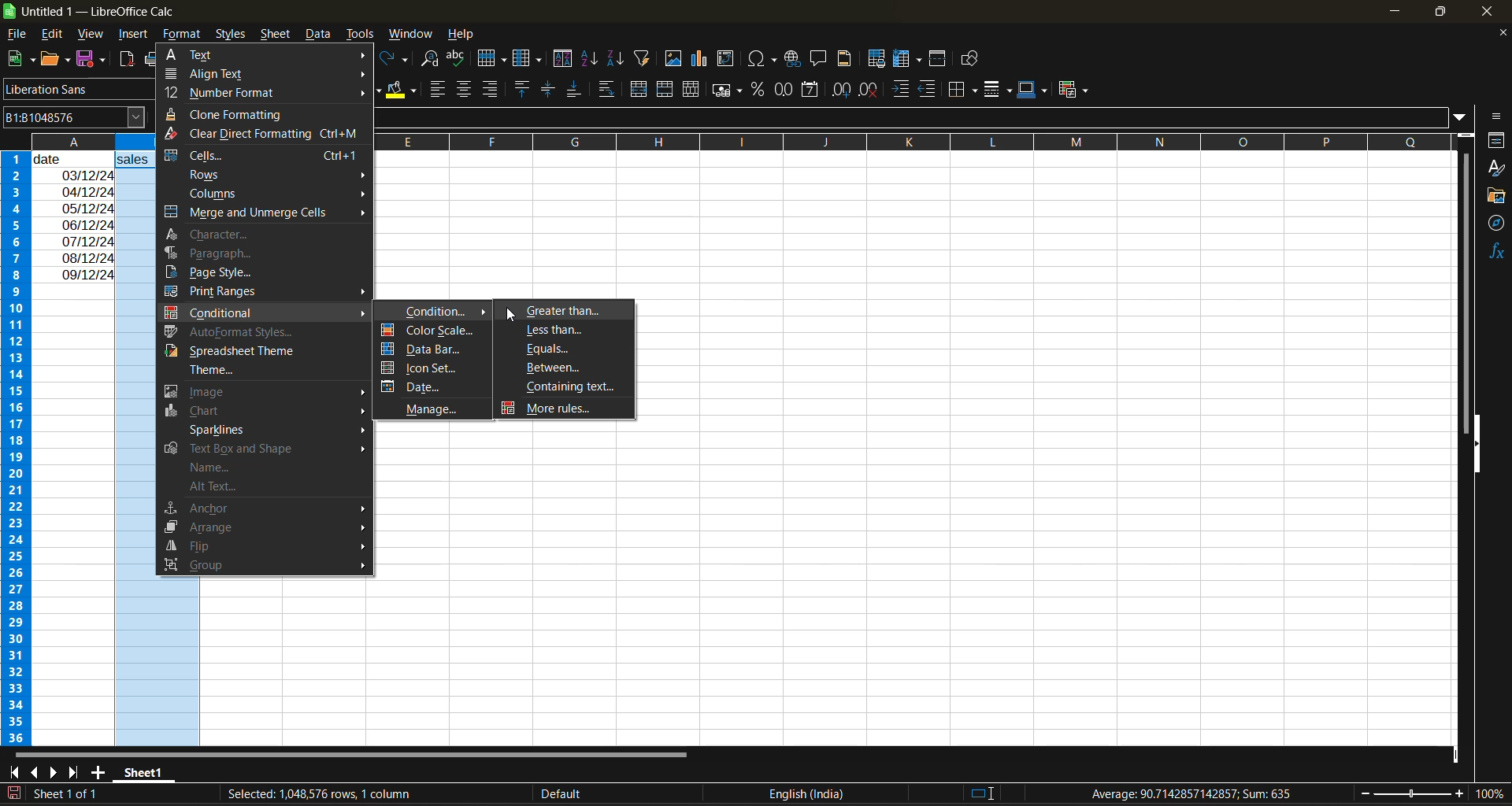  What do you see at coordinates (1444, 15) in the screenshot?
I see `maximize` at bounding box center [1444, 15].